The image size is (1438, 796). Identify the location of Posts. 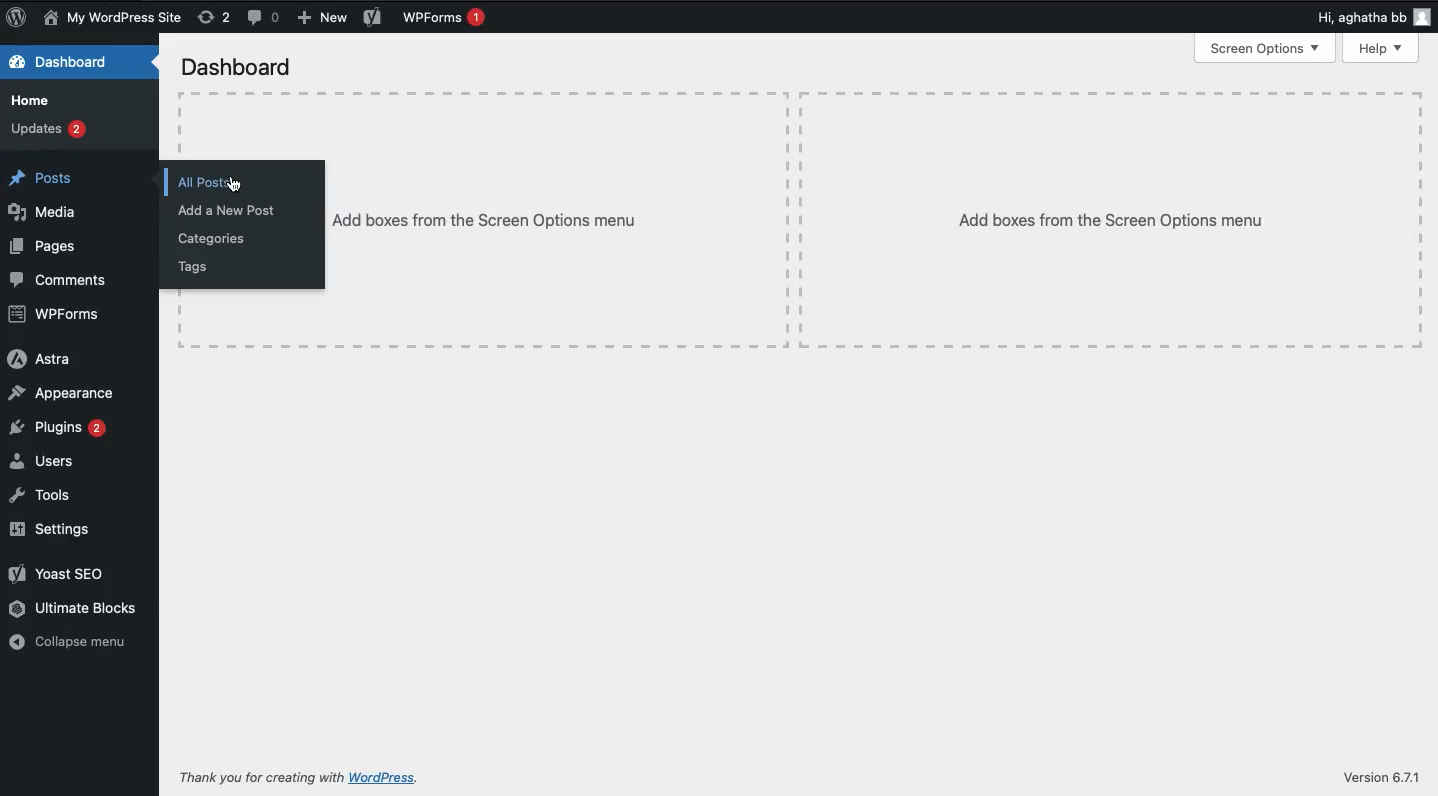
(41, 179).